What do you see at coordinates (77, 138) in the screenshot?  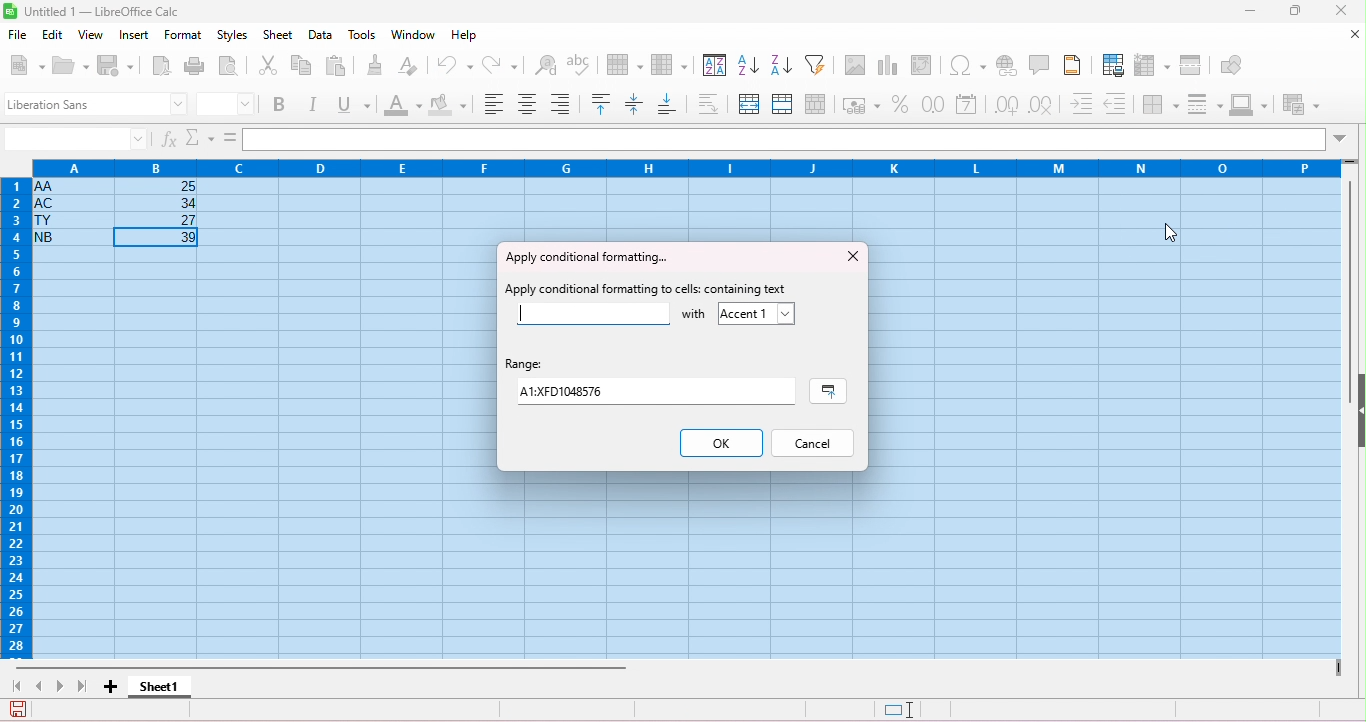 I see `selected cell number` at bounding box center [77, 138].